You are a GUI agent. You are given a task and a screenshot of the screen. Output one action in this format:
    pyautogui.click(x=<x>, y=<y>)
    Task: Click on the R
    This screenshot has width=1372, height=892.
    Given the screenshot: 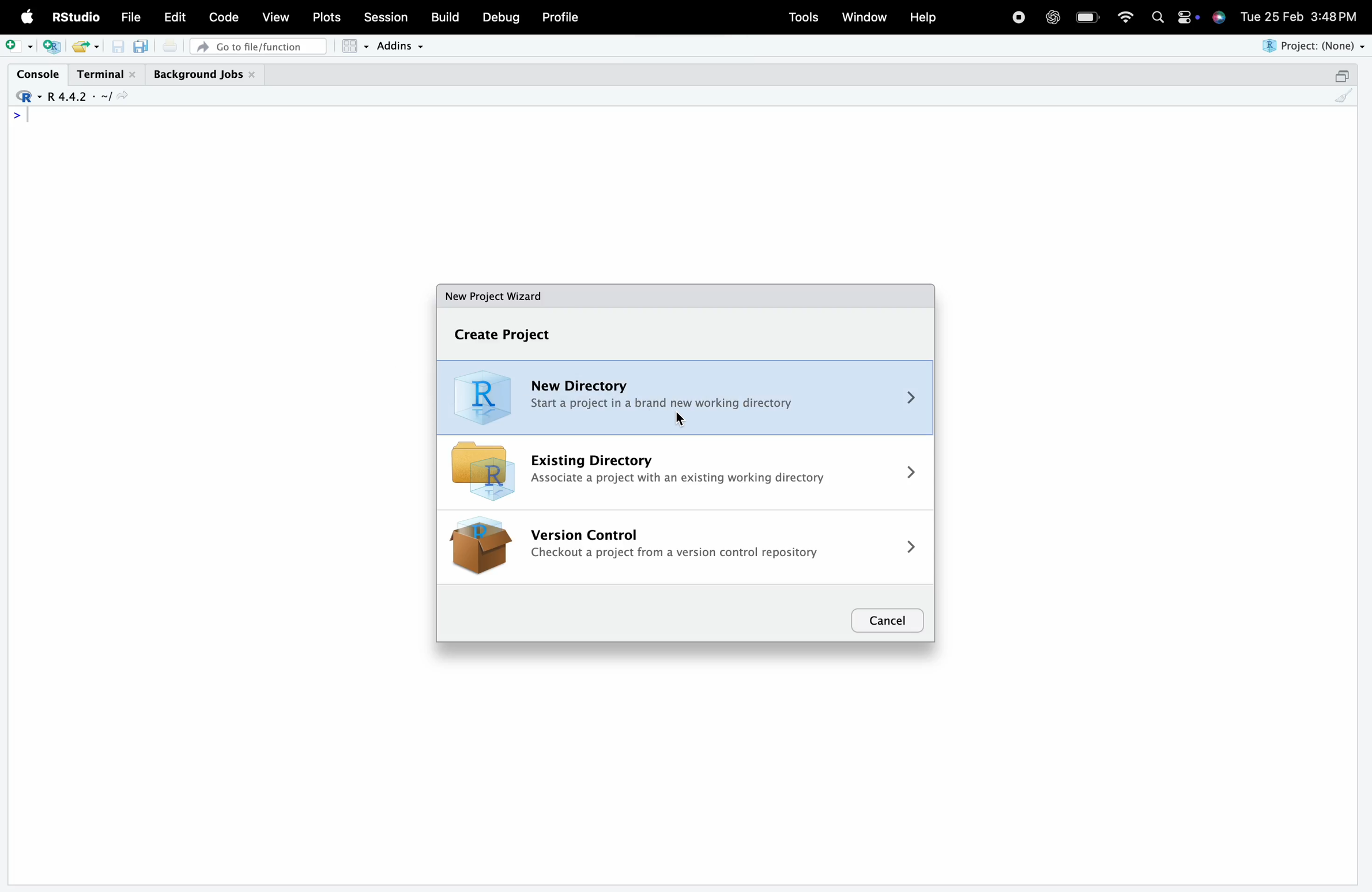 What is the action you would take?
    pyautogui.click(x=27, y=97)
    